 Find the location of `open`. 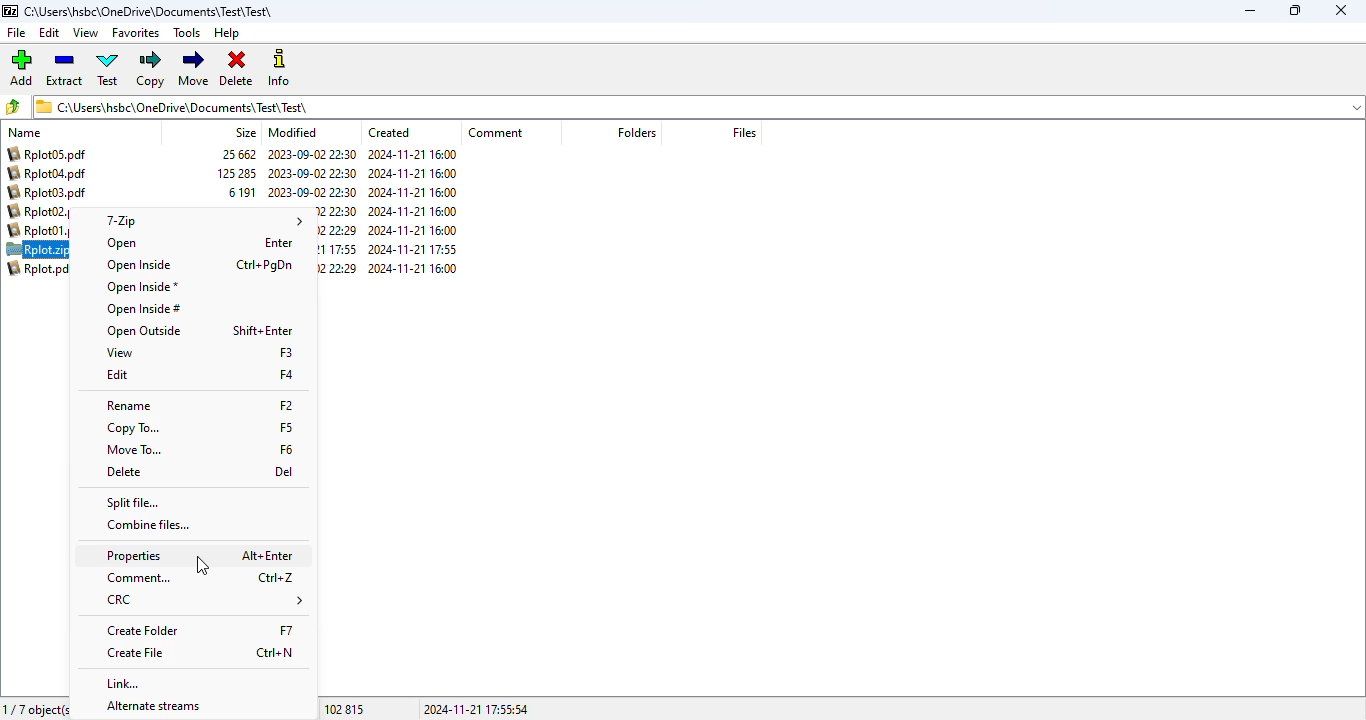

open is located at coordinates (121, 244).